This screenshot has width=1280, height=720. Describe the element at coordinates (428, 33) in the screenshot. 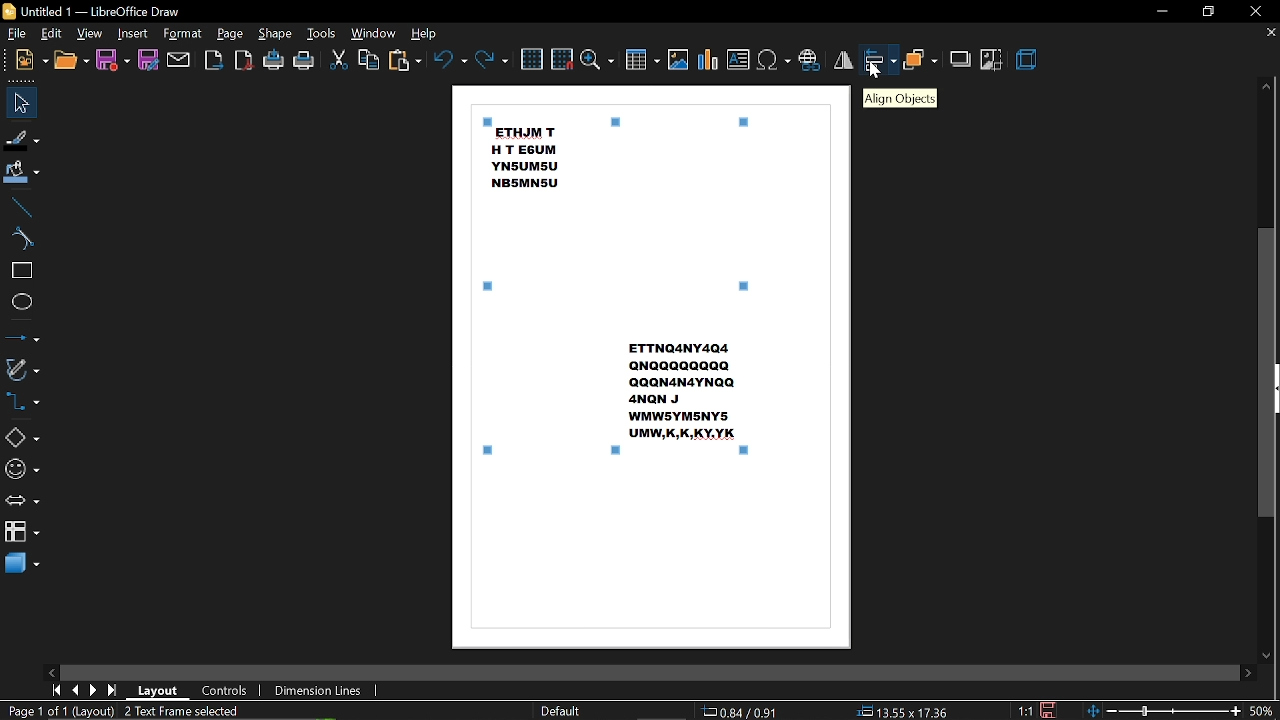

I see `help` at that location.